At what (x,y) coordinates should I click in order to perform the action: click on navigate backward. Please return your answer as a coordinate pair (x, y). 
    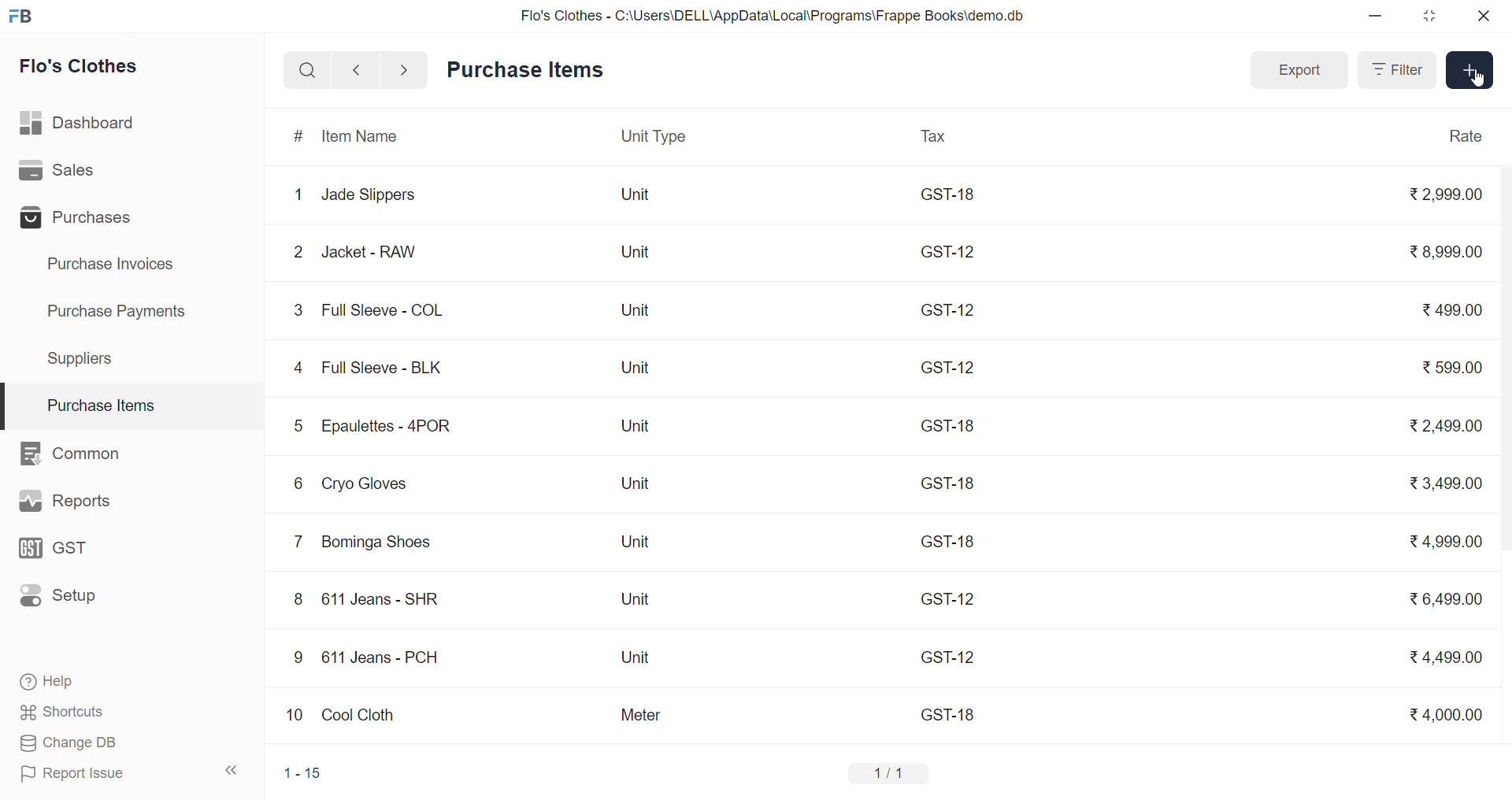
    Looking at the image, I should click on (356, 69).